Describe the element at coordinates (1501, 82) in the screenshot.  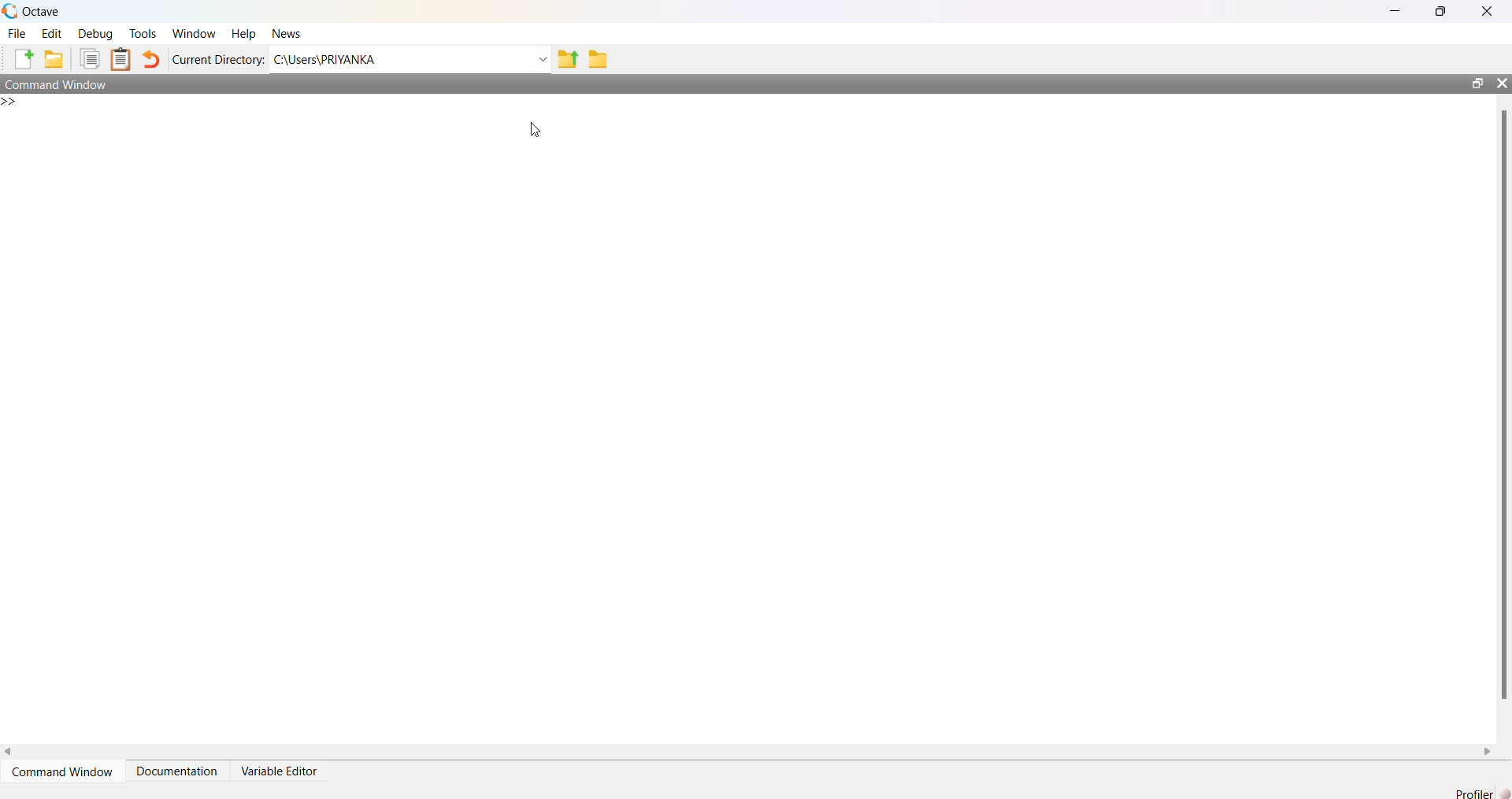
I see `close` at that location.